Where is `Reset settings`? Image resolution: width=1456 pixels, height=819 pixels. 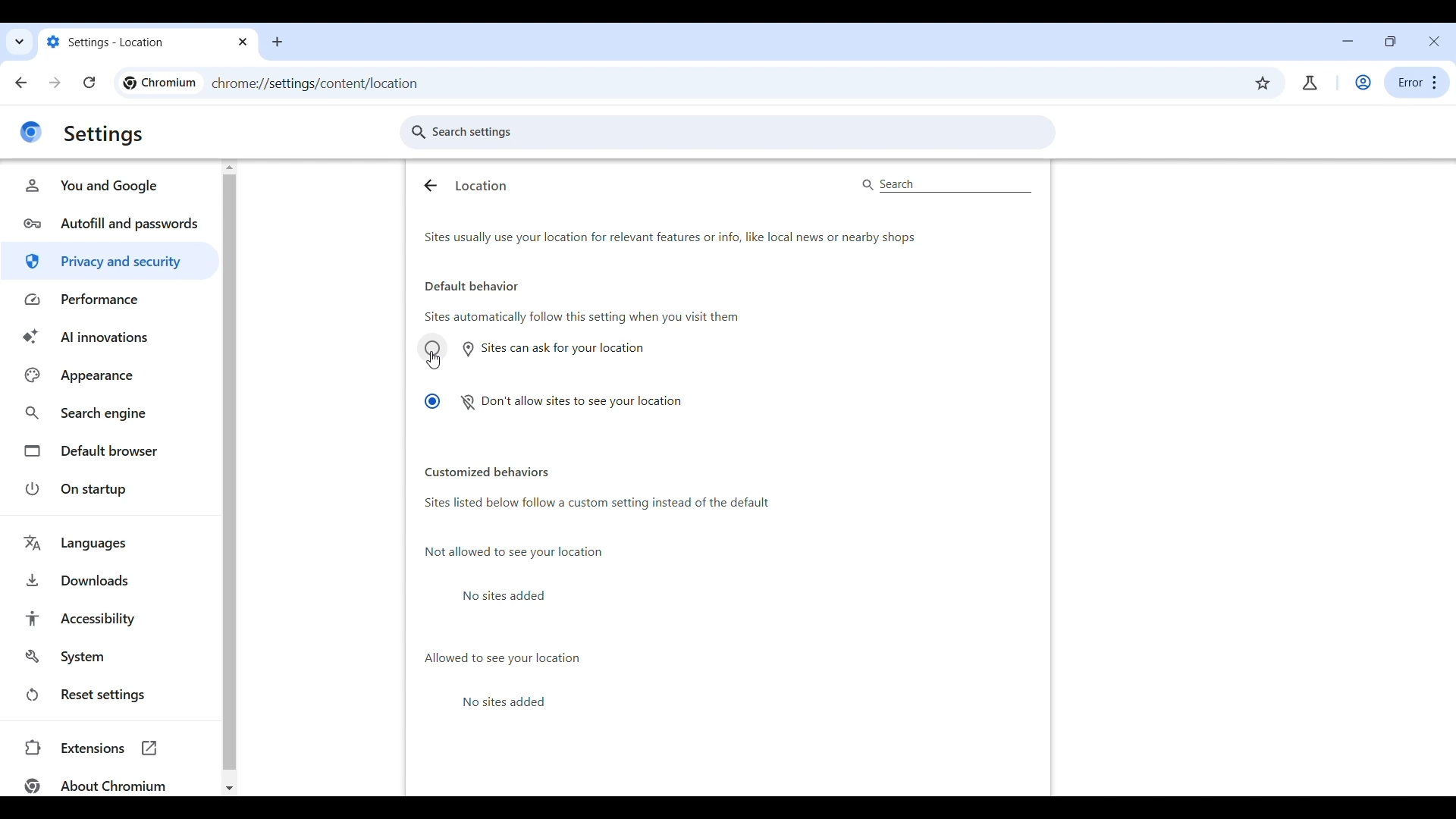
Reset settings is located at coordinates (108, 695).